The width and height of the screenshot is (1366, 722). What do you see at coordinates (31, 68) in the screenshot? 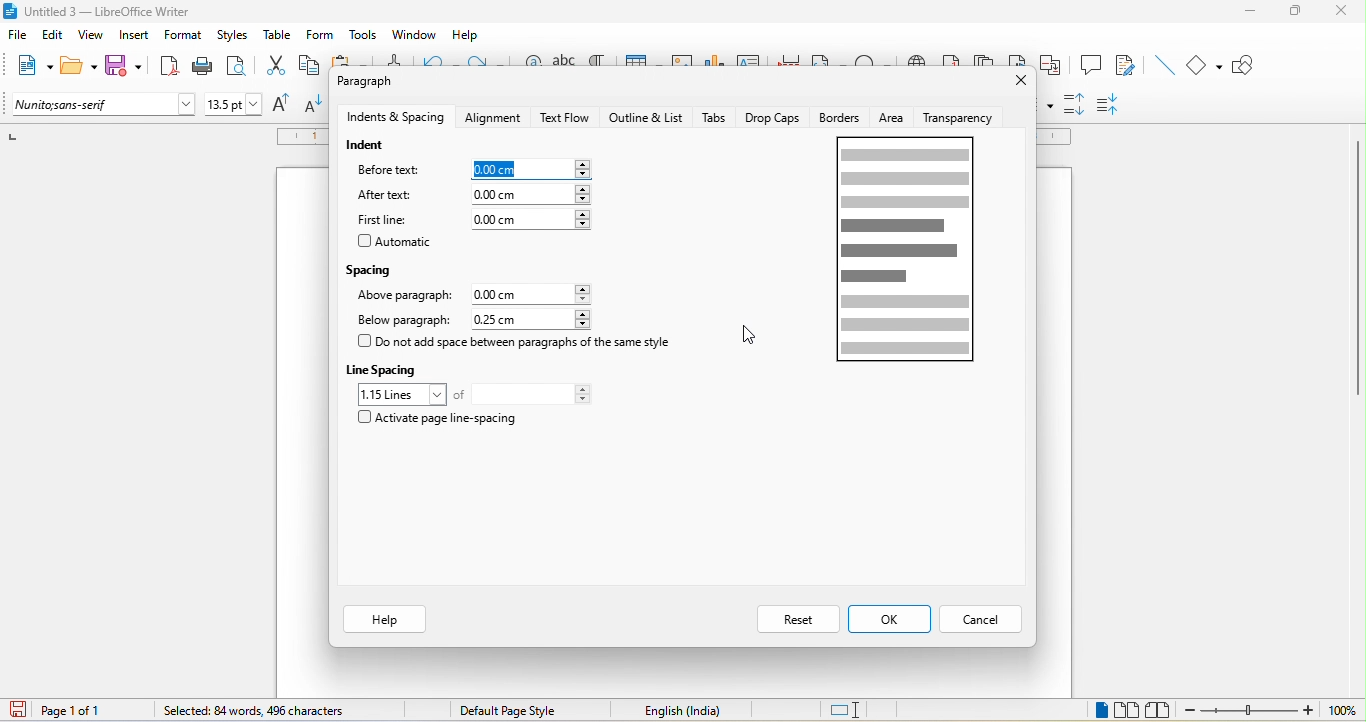
I see `new` at bounding box center [31, 68].